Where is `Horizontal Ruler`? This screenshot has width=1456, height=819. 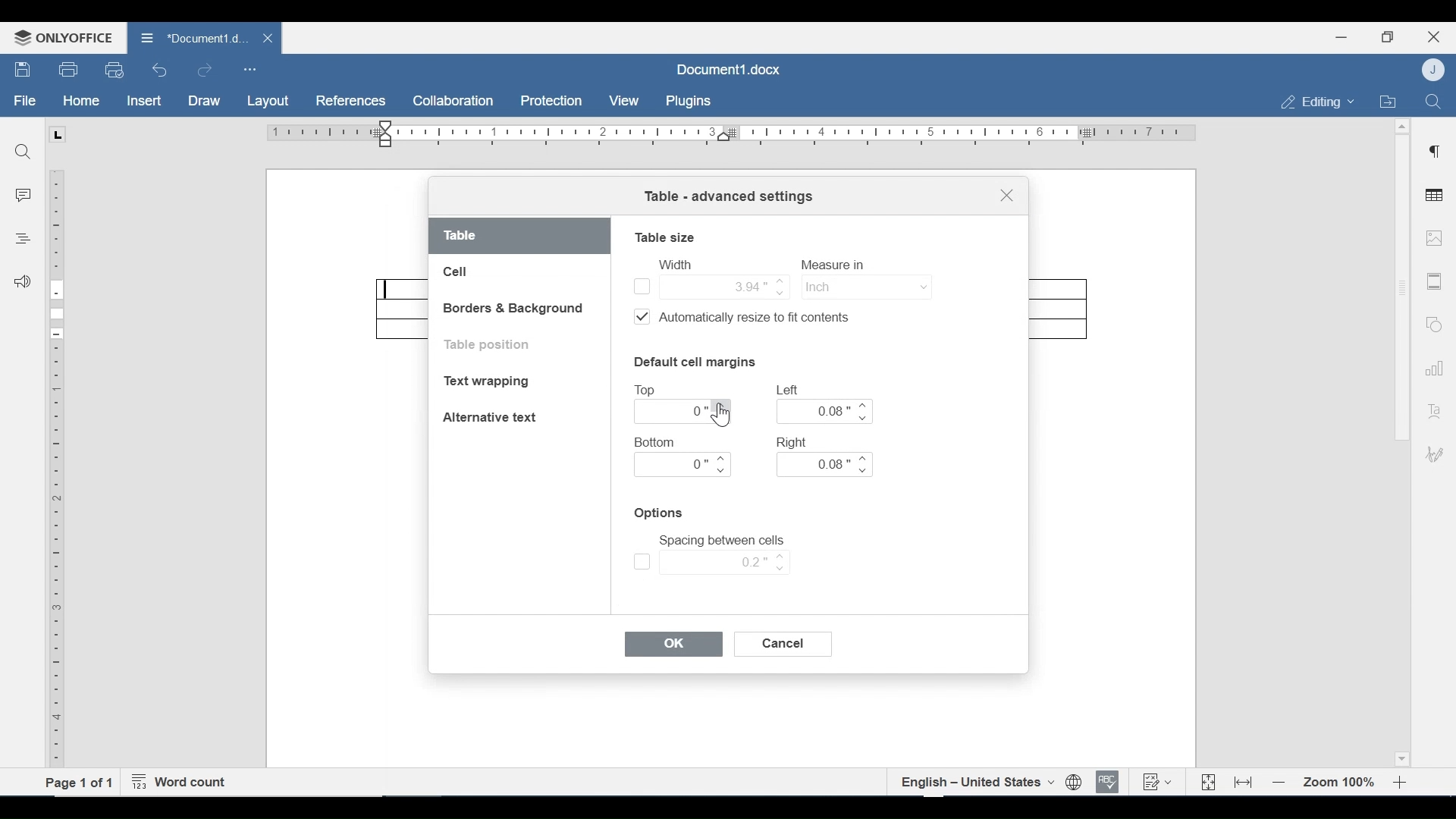
Horizontal Ruler is located at coordinates (730, 133).